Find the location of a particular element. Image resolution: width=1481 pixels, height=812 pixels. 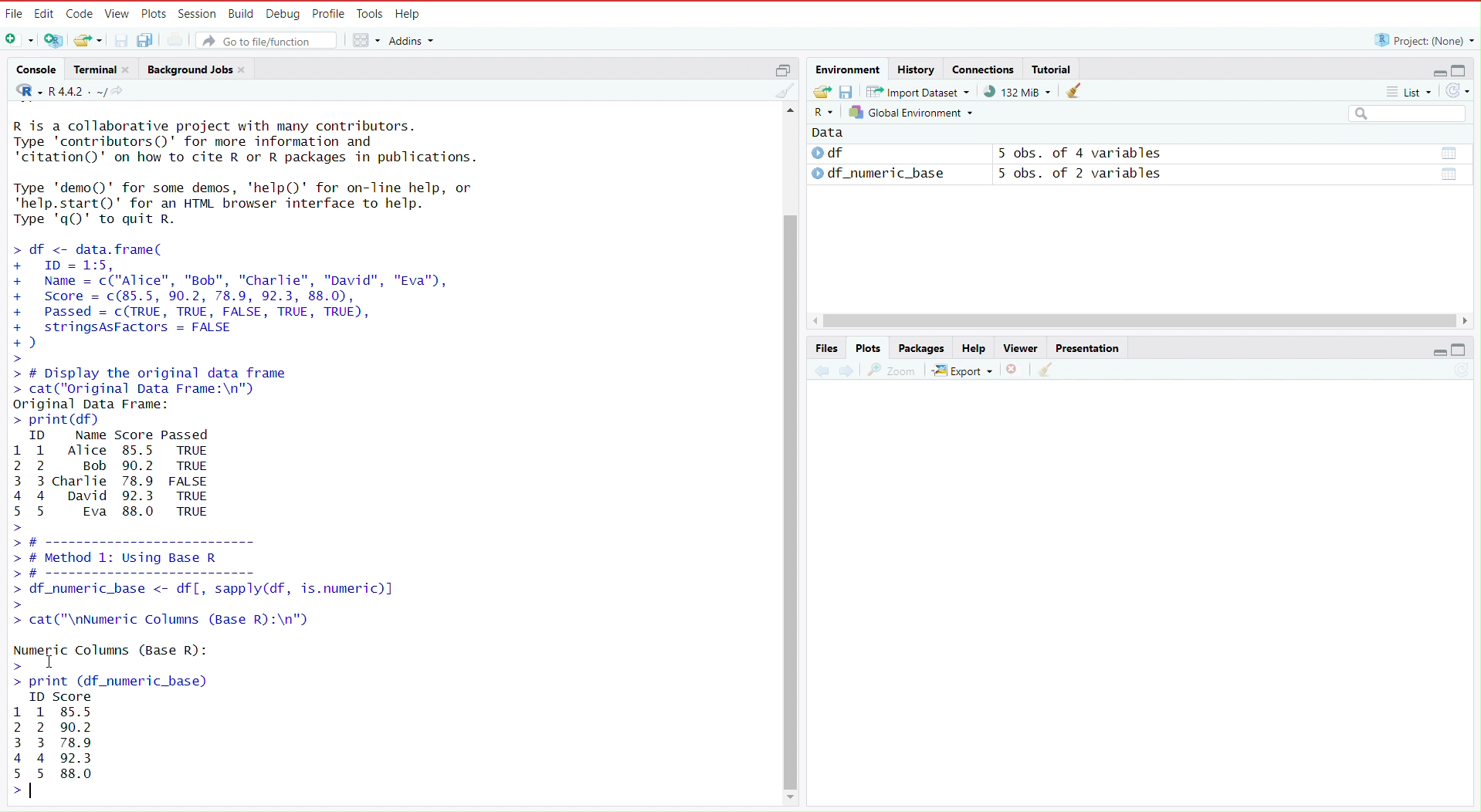

list is located at coordinates (1415, 91).